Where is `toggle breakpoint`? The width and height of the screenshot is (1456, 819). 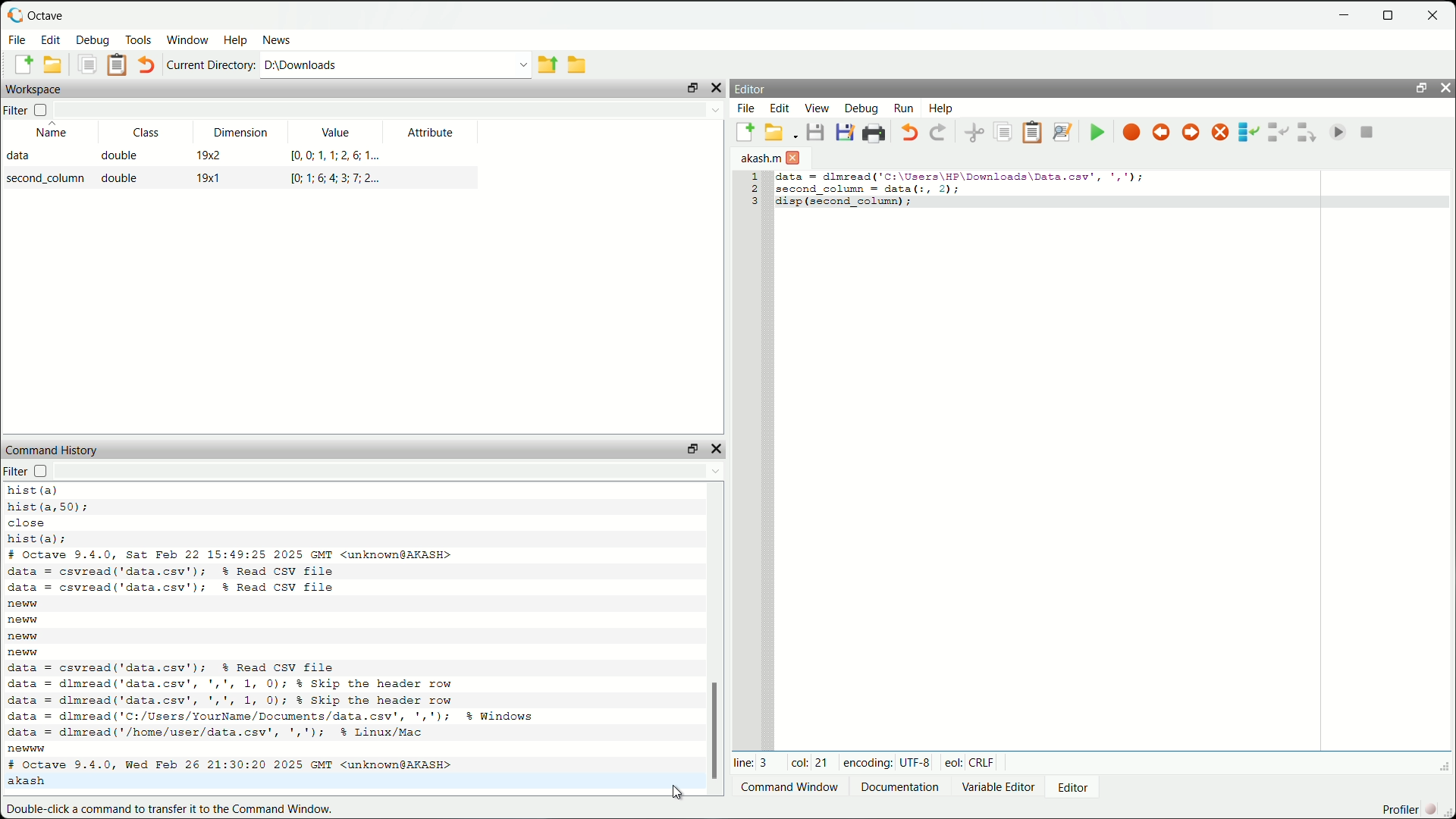
toggle breakpoint is located at coordinates (1131, 134).